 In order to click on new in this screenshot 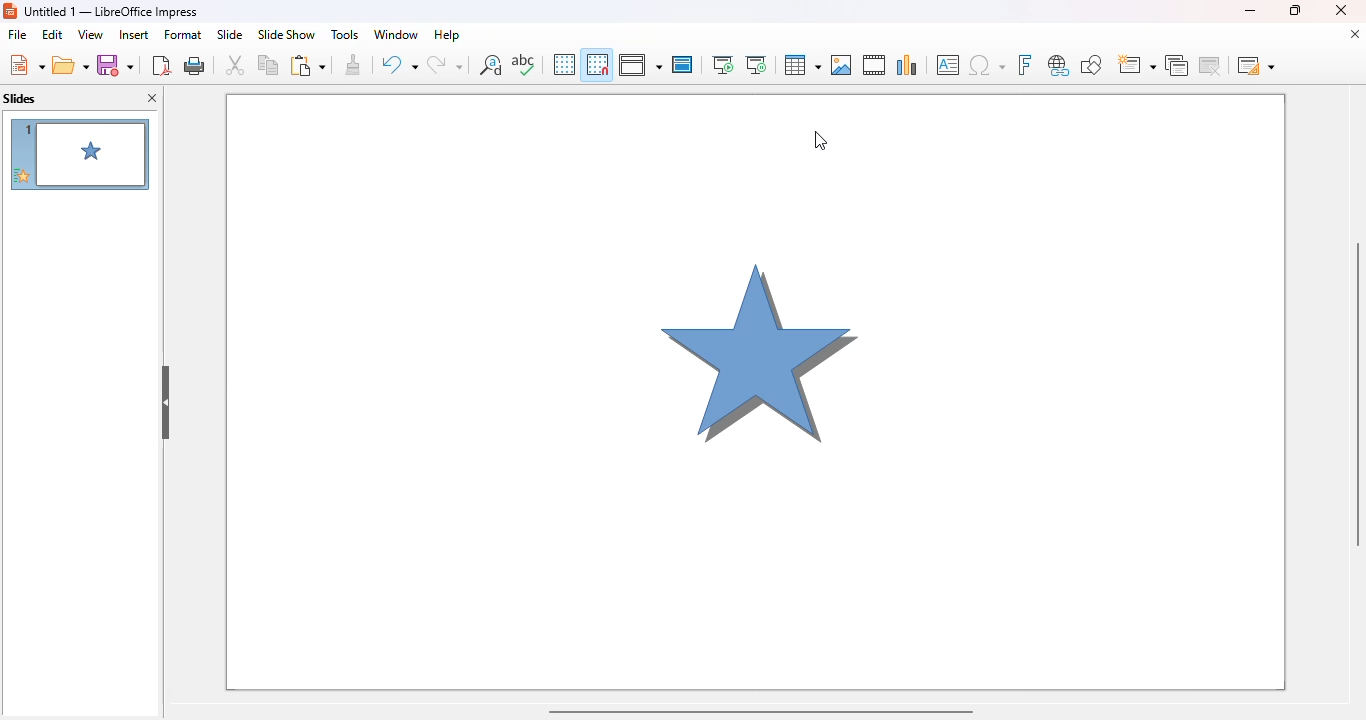, I will do `click(25, 64)`.